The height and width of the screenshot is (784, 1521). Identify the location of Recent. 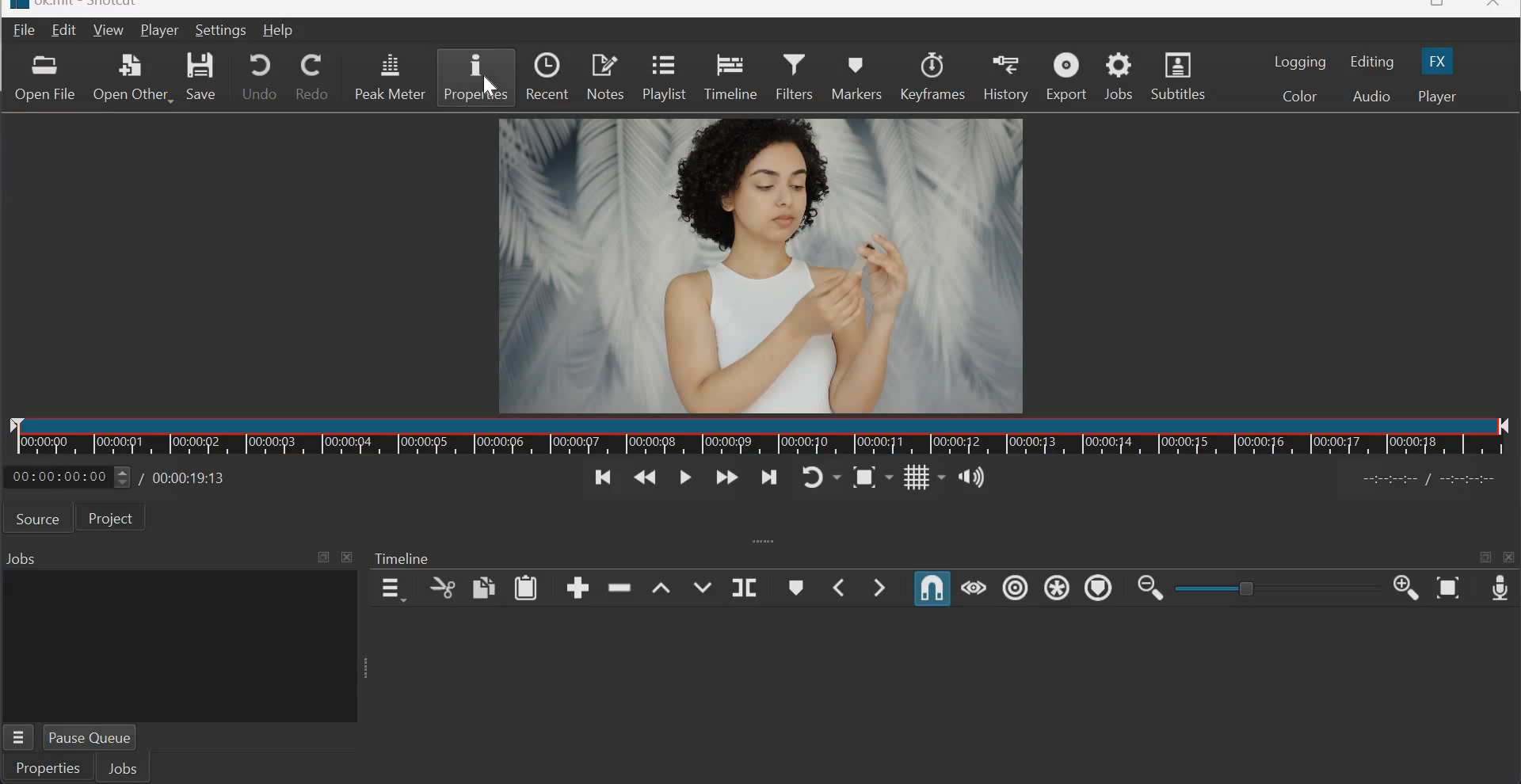
(547, 77).